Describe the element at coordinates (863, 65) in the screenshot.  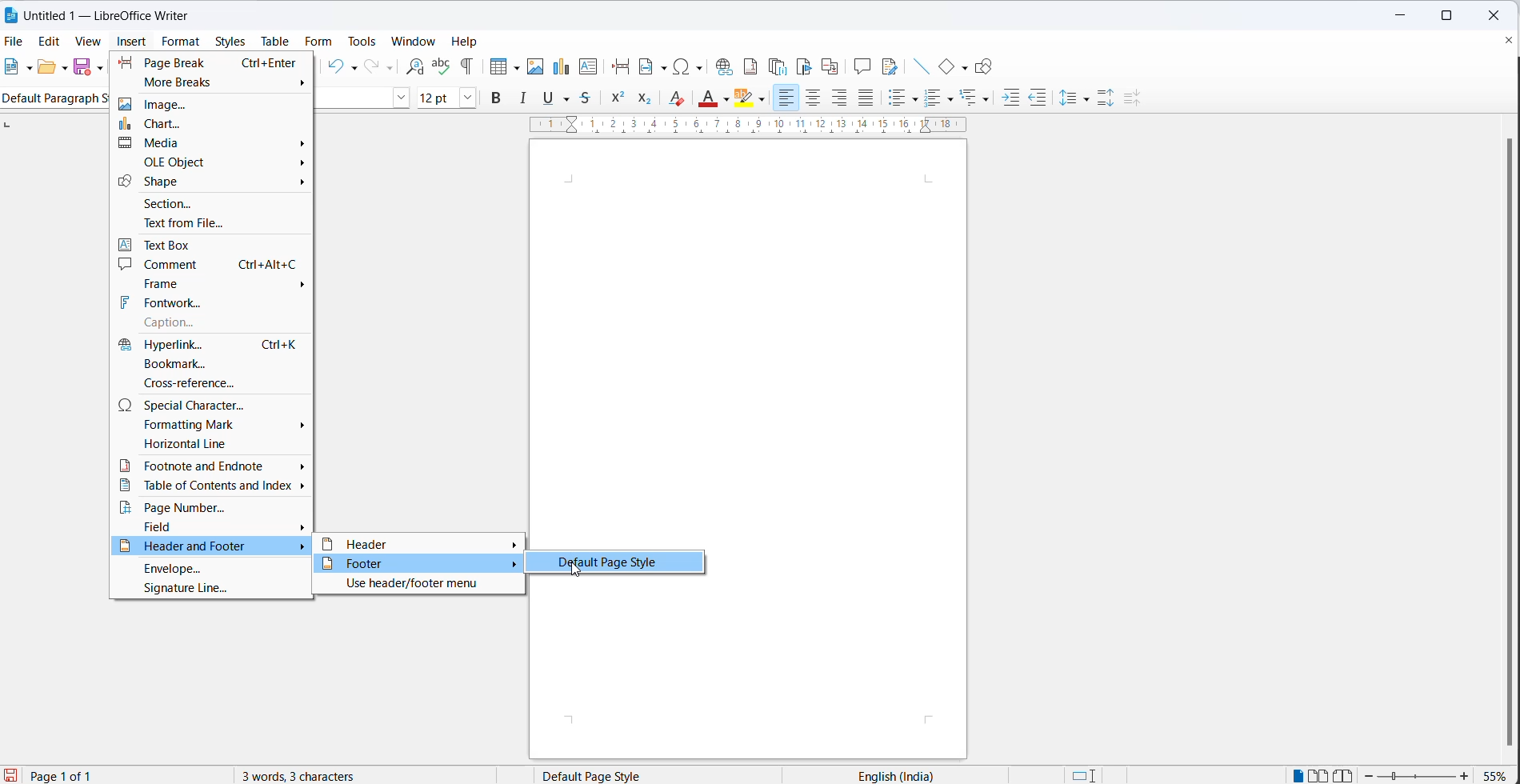
I see `insert comments` at that location.